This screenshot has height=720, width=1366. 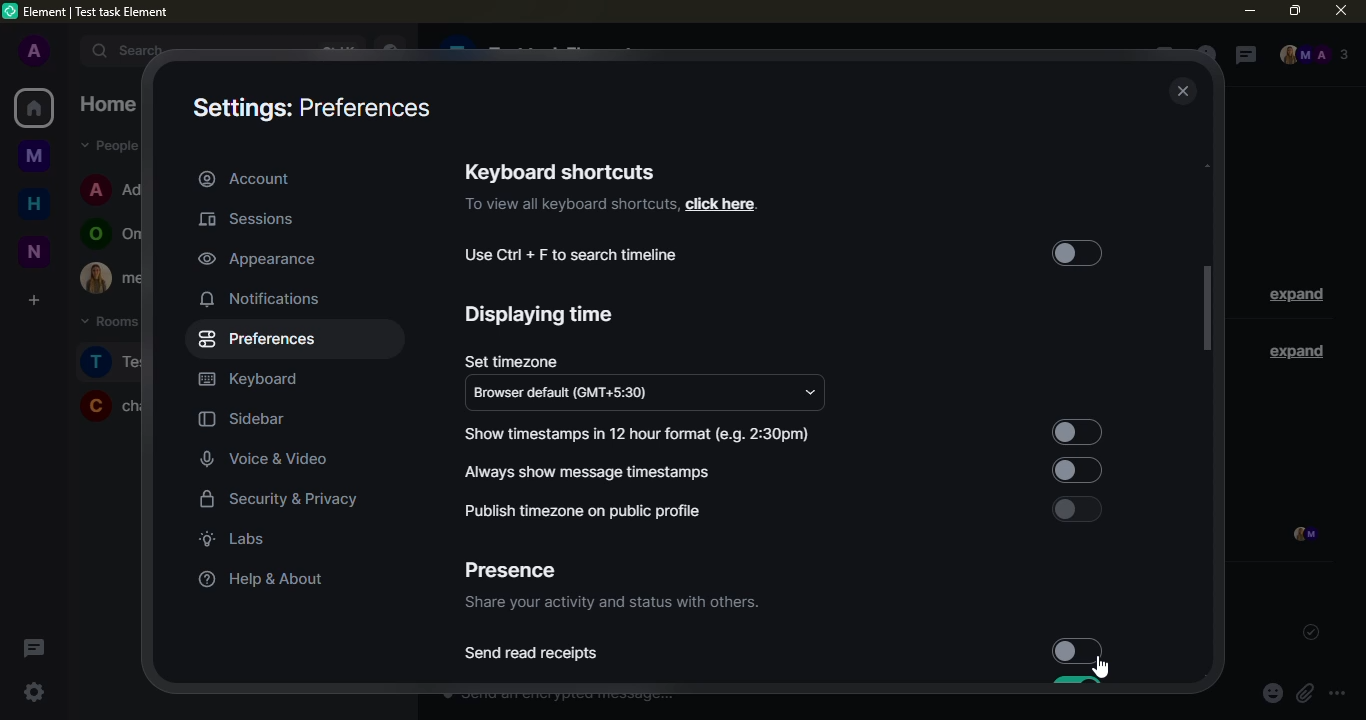 What do you see at coordinates (1076, 649) in the screenshot?
I see `read receipt disabled` at bounding box center [1076, 649].